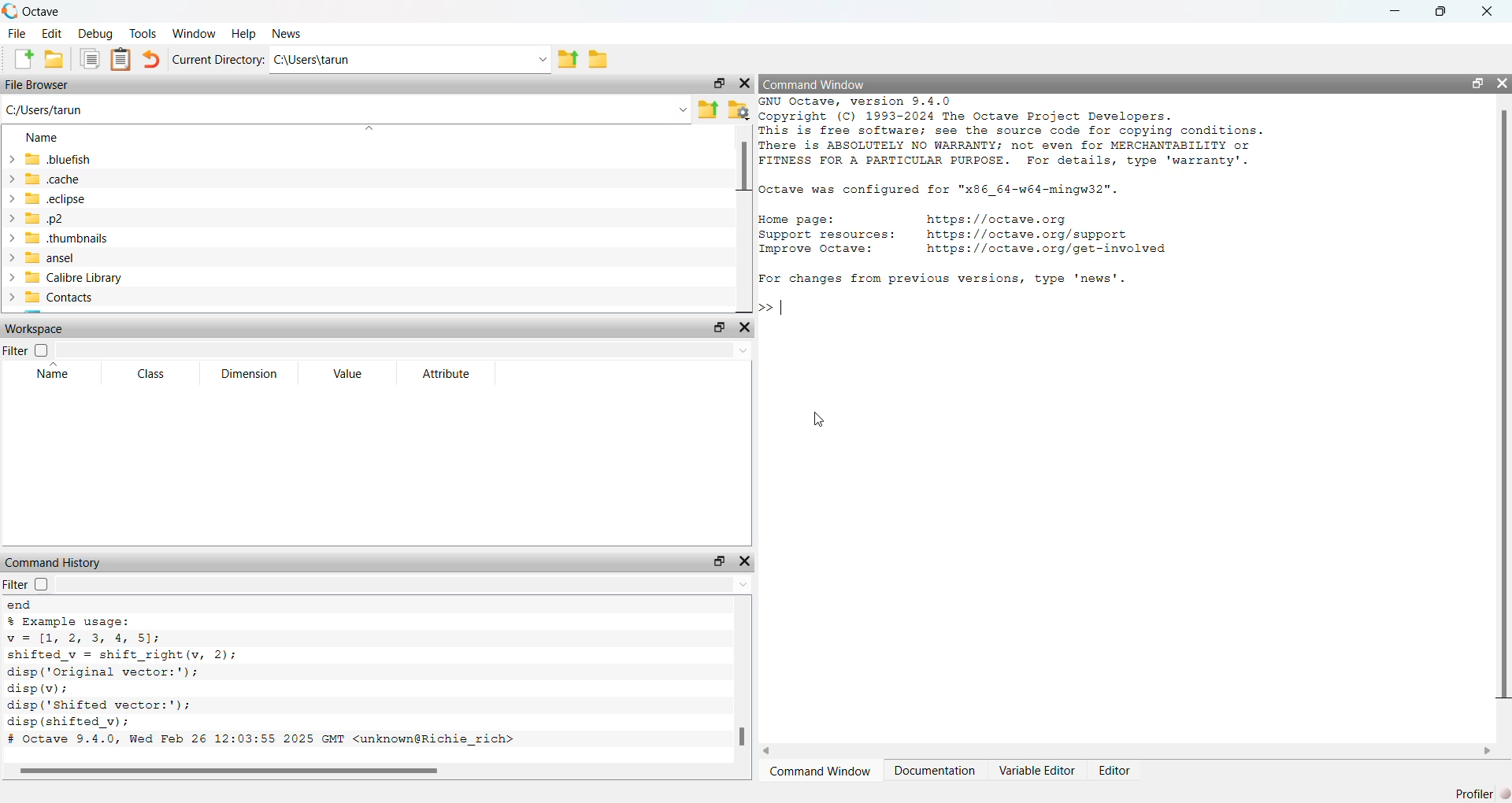  I want to click on contacts, so click(117, 299).